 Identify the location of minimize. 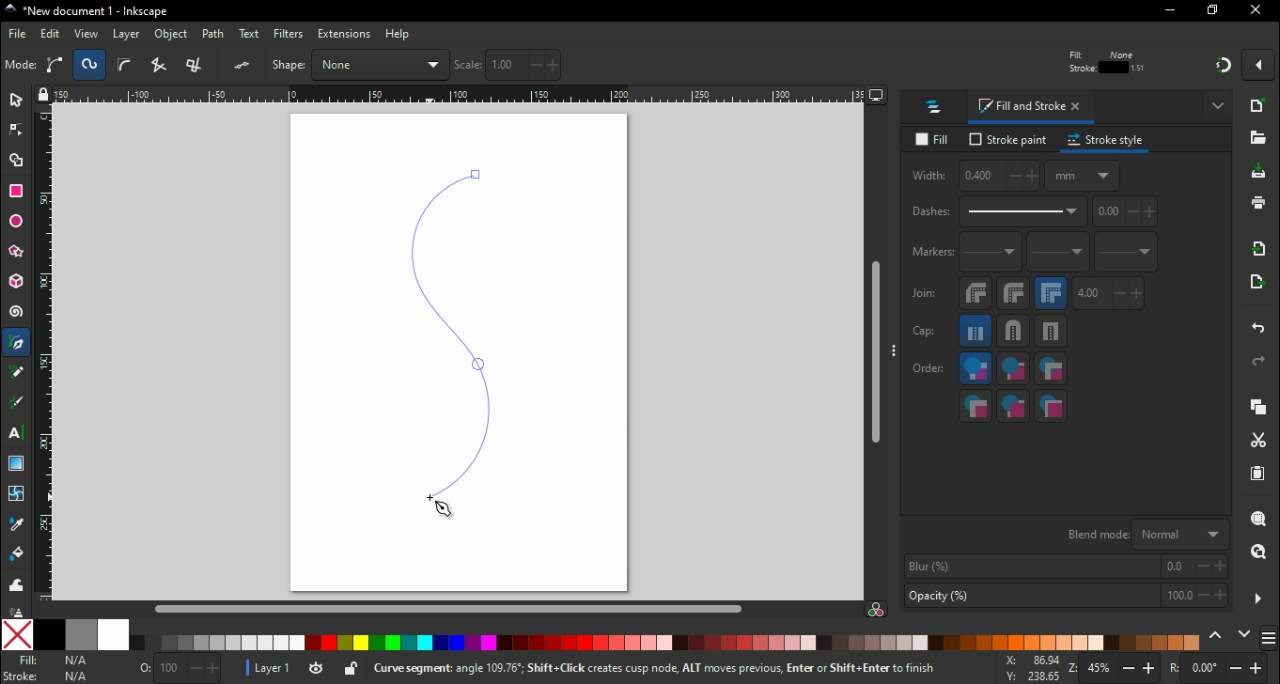
(1169, 11).